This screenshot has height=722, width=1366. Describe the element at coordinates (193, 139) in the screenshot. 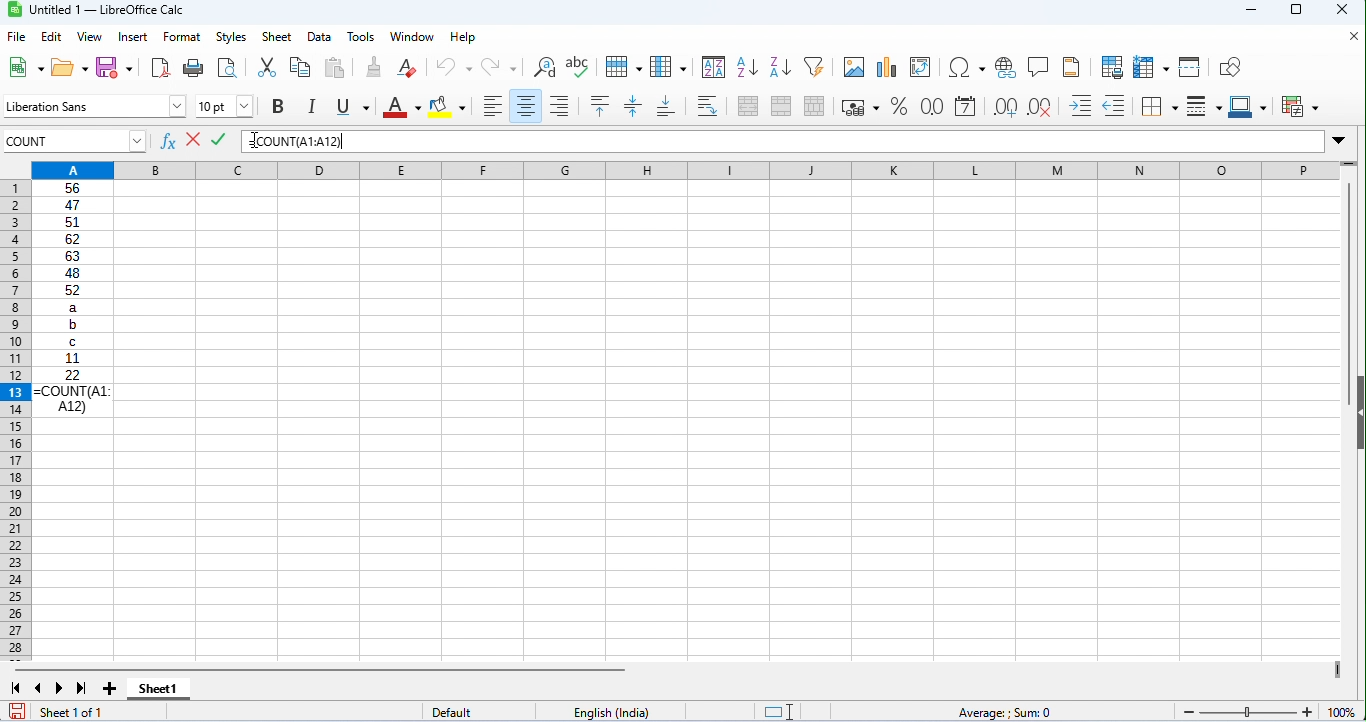

I see `reject` at that location.